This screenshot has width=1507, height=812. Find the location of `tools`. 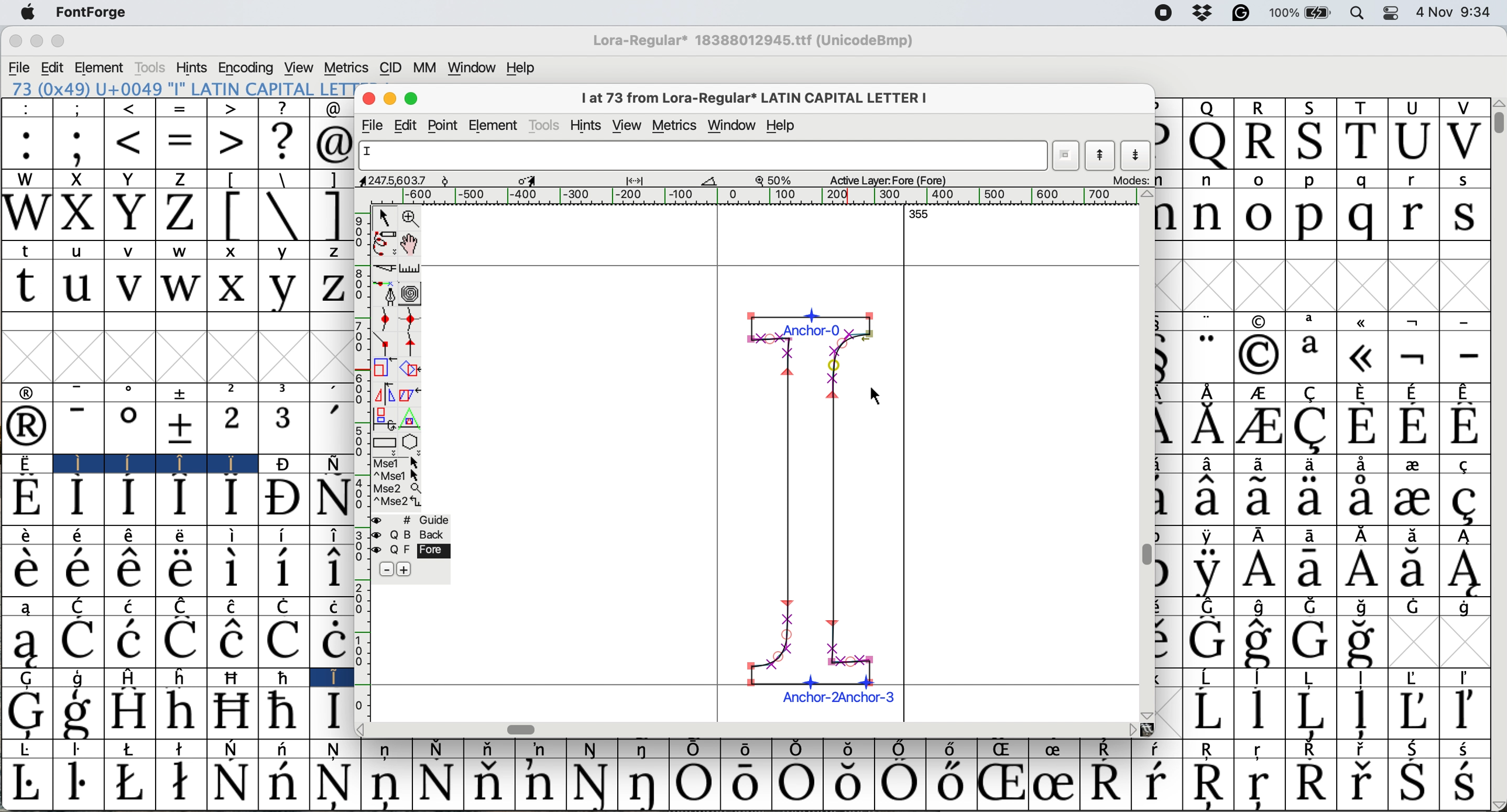

tools is located at coordinates (543, 125).